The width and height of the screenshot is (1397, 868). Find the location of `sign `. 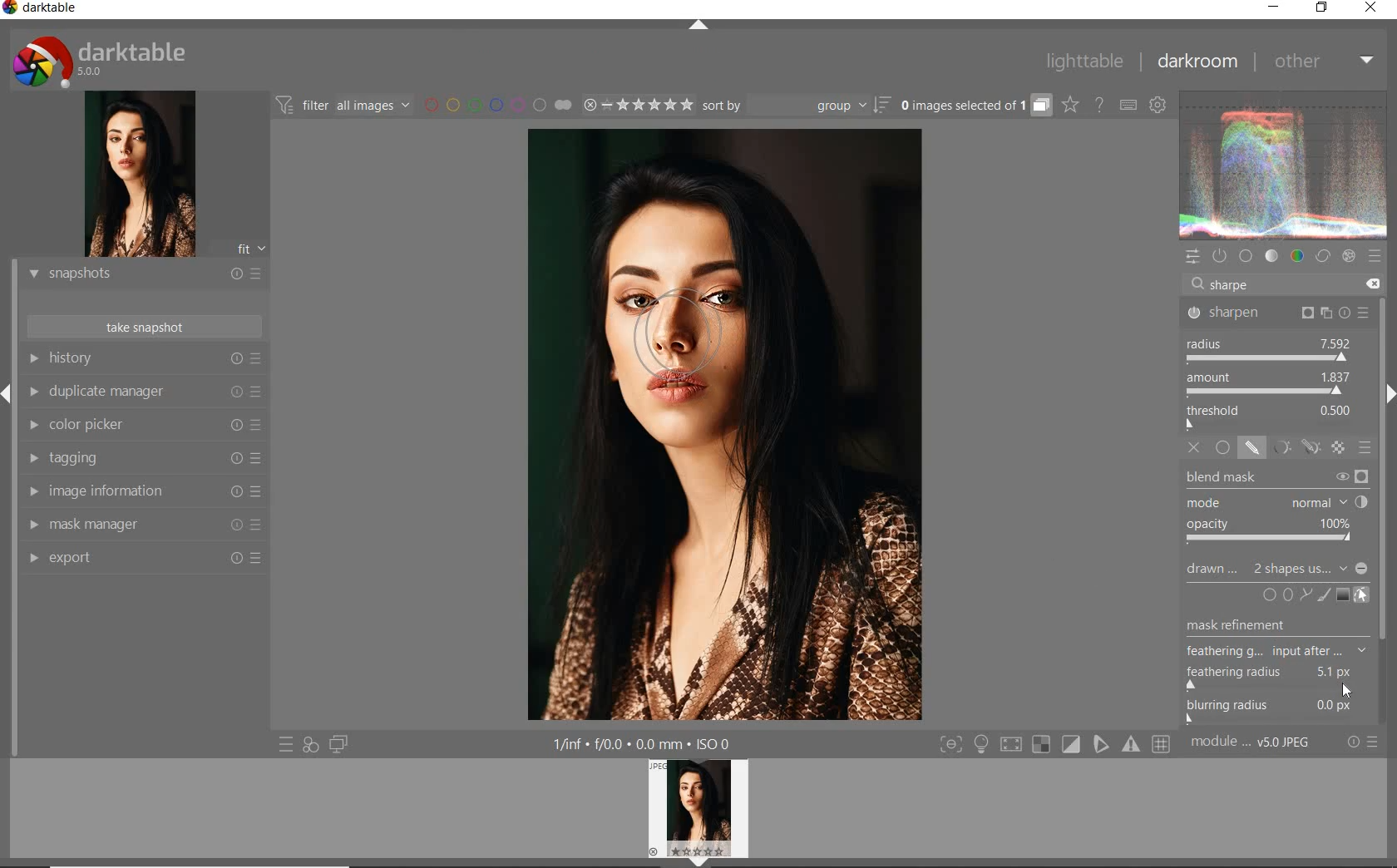

sign  is located at coordinates (1072, 745).